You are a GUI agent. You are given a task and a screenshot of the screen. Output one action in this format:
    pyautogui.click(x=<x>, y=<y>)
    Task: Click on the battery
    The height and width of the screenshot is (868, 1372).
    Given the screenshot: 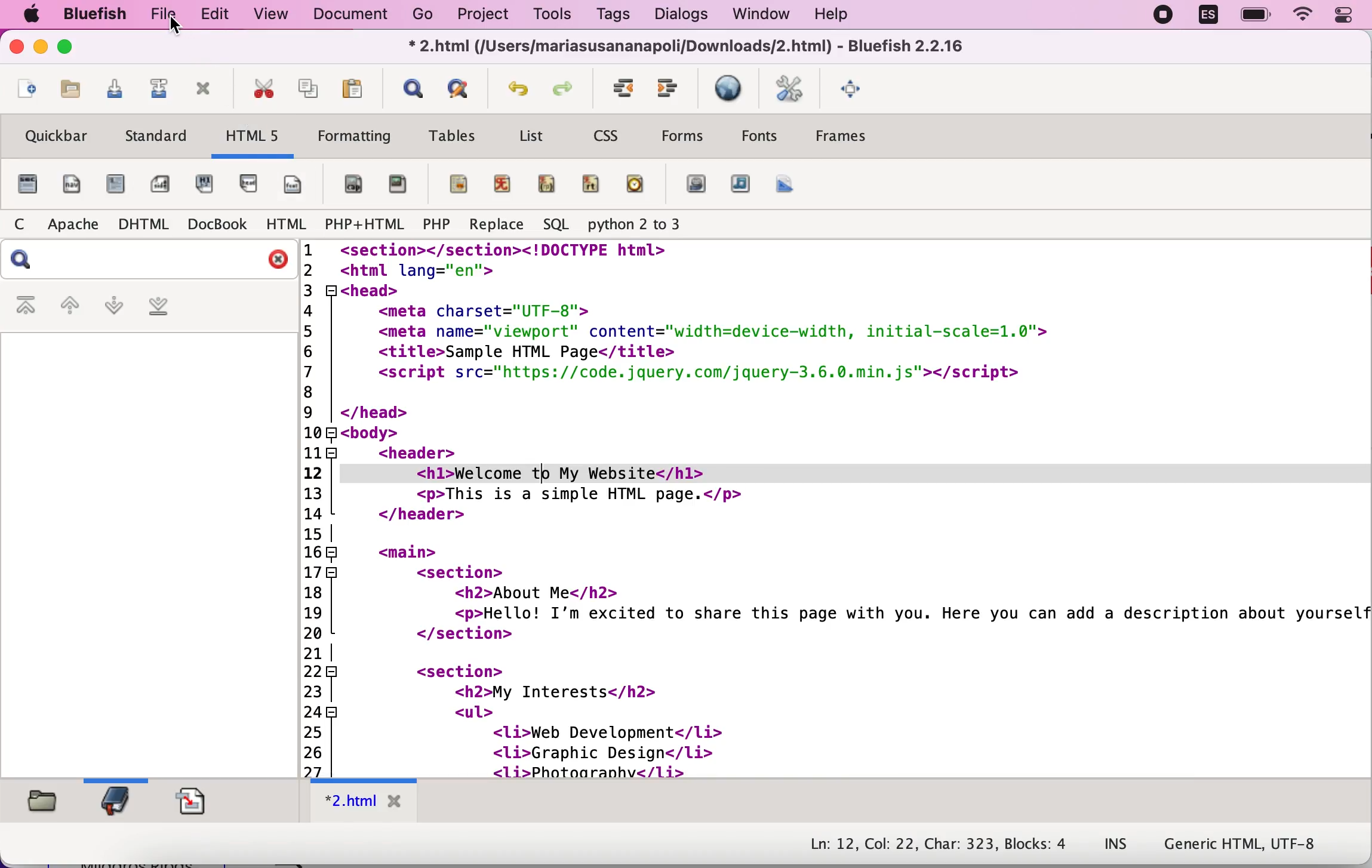 What is the action you would take?
    pyautogui.click(x=1254, y=15)
    